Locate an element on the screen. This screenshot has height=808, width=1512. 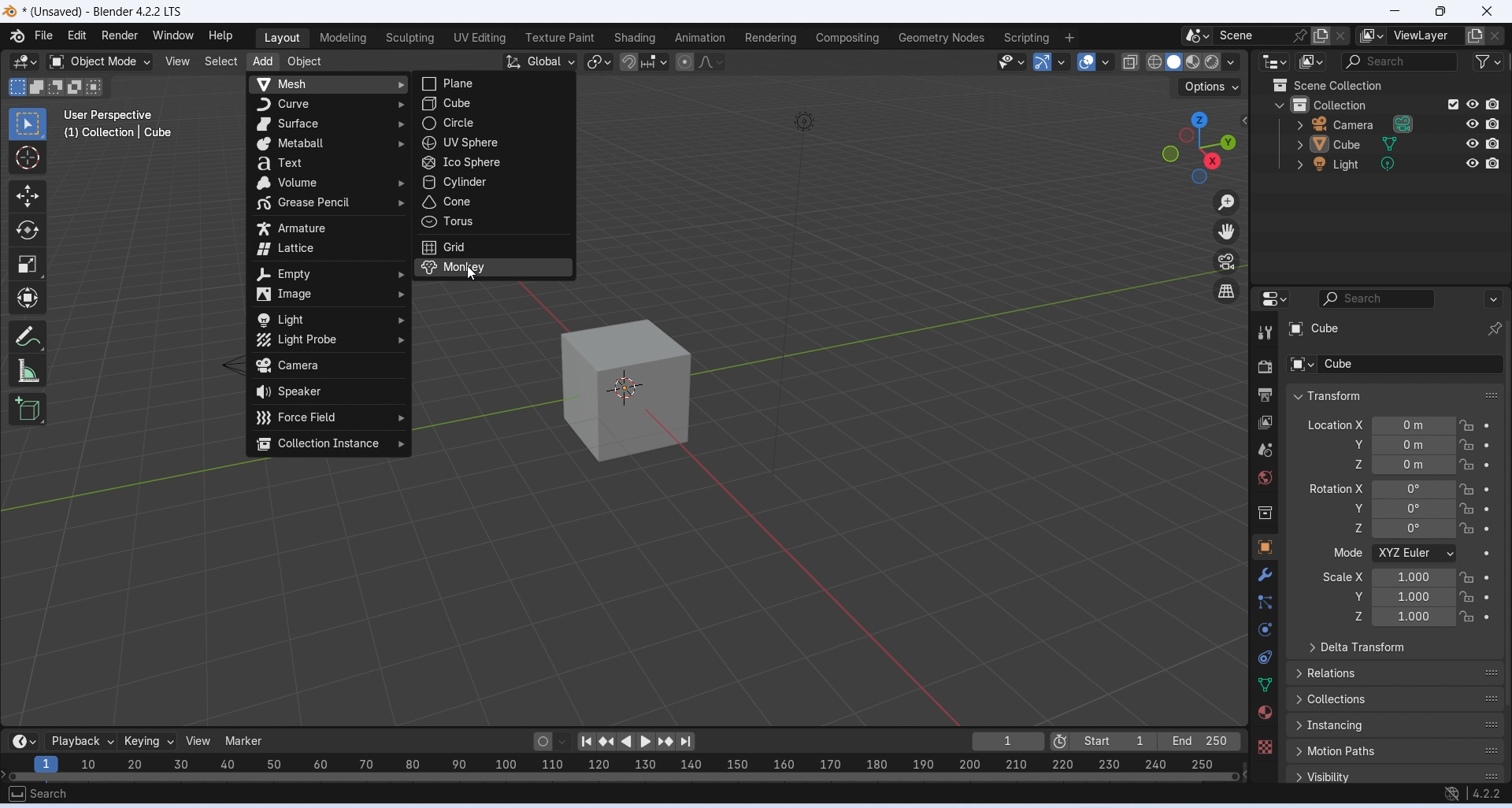
solid viewport shading is located at coordinates (1173, 62).